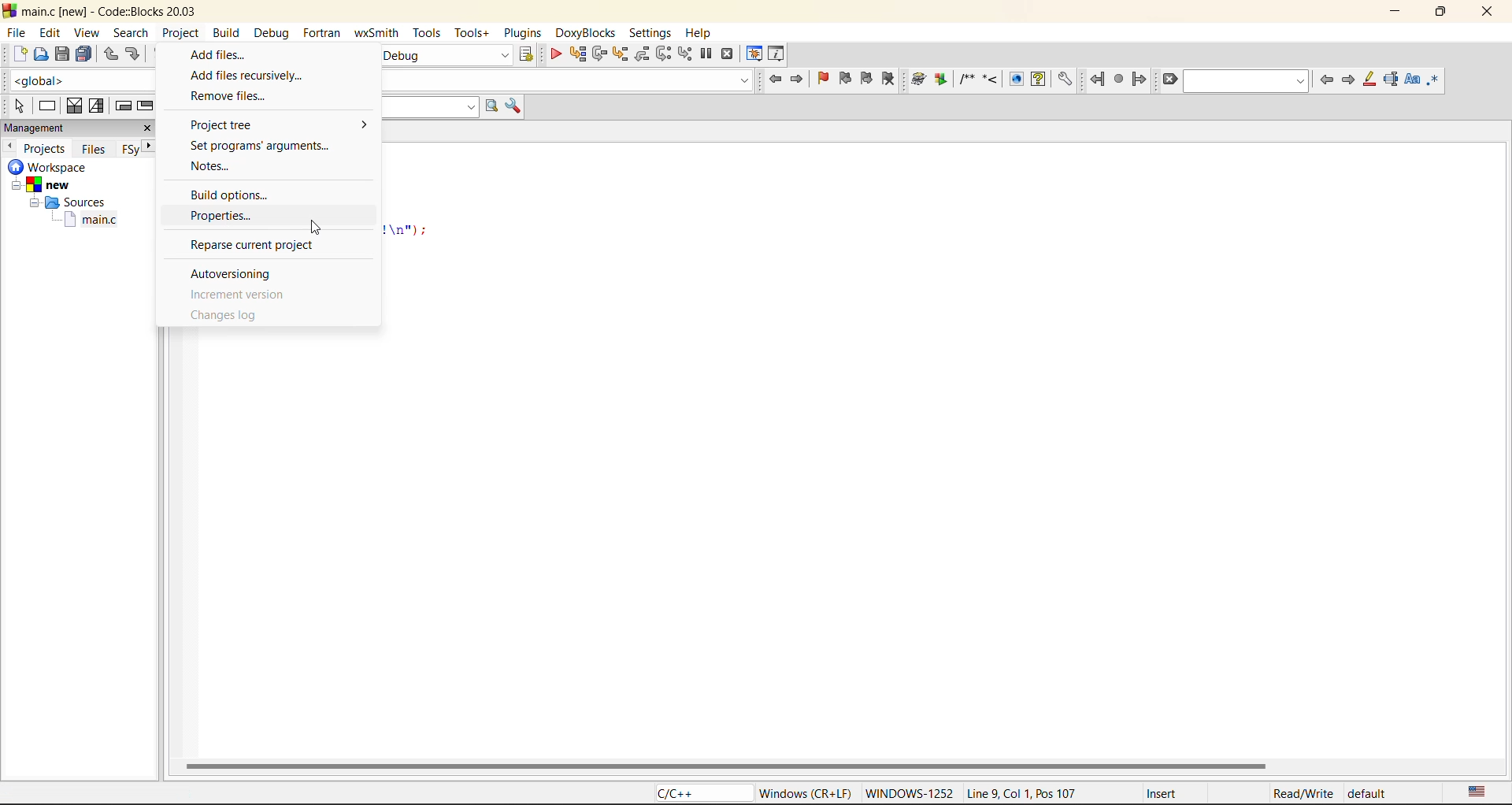 The image size is (1512, 805). What do you see at coordinates (554, 54) in the screenshot?
I see `debug` at bounding box center [554, 54].